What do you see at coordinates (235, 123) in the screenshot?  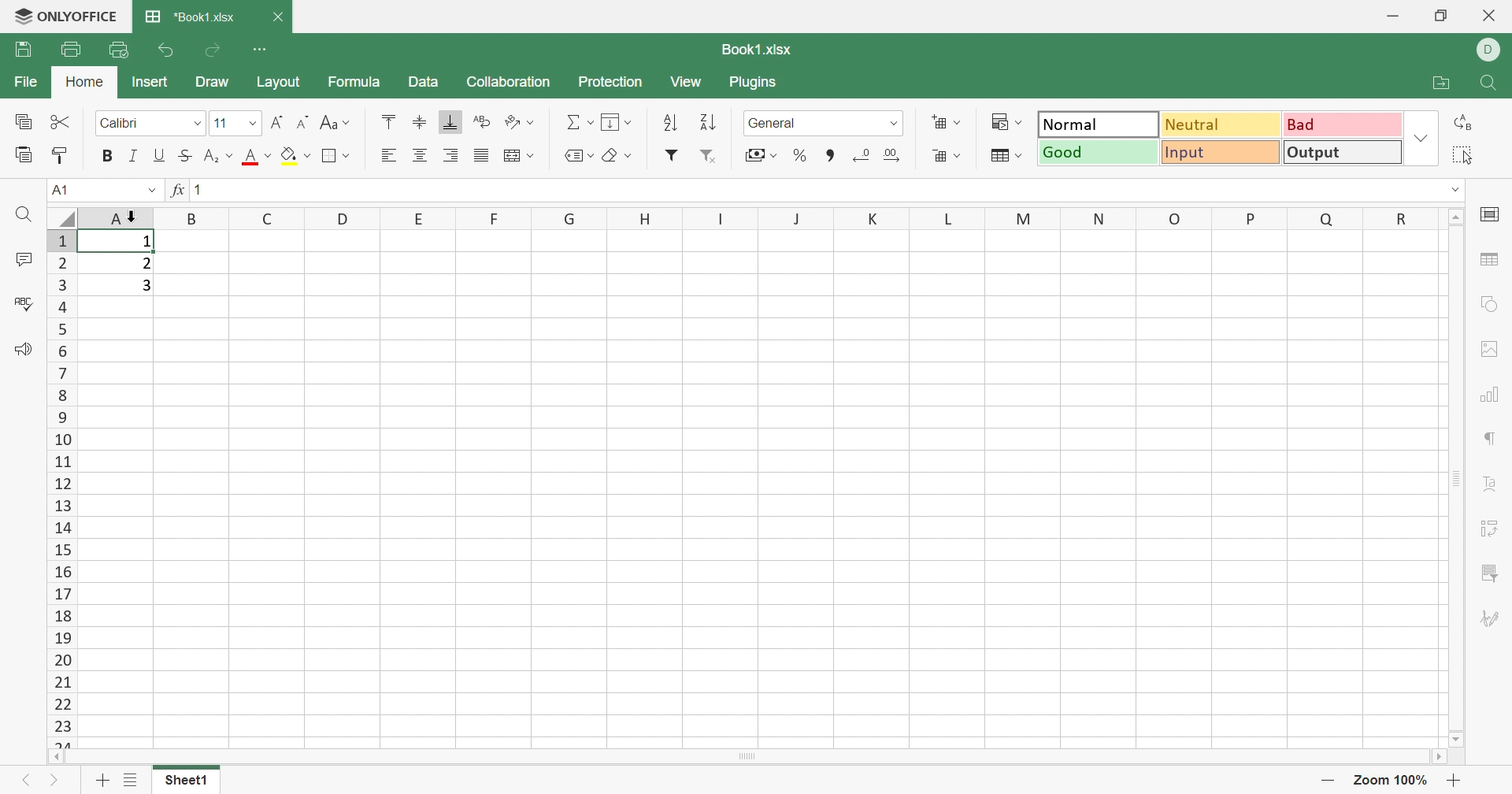 I see `Font size` at bounding box center [235, 123].